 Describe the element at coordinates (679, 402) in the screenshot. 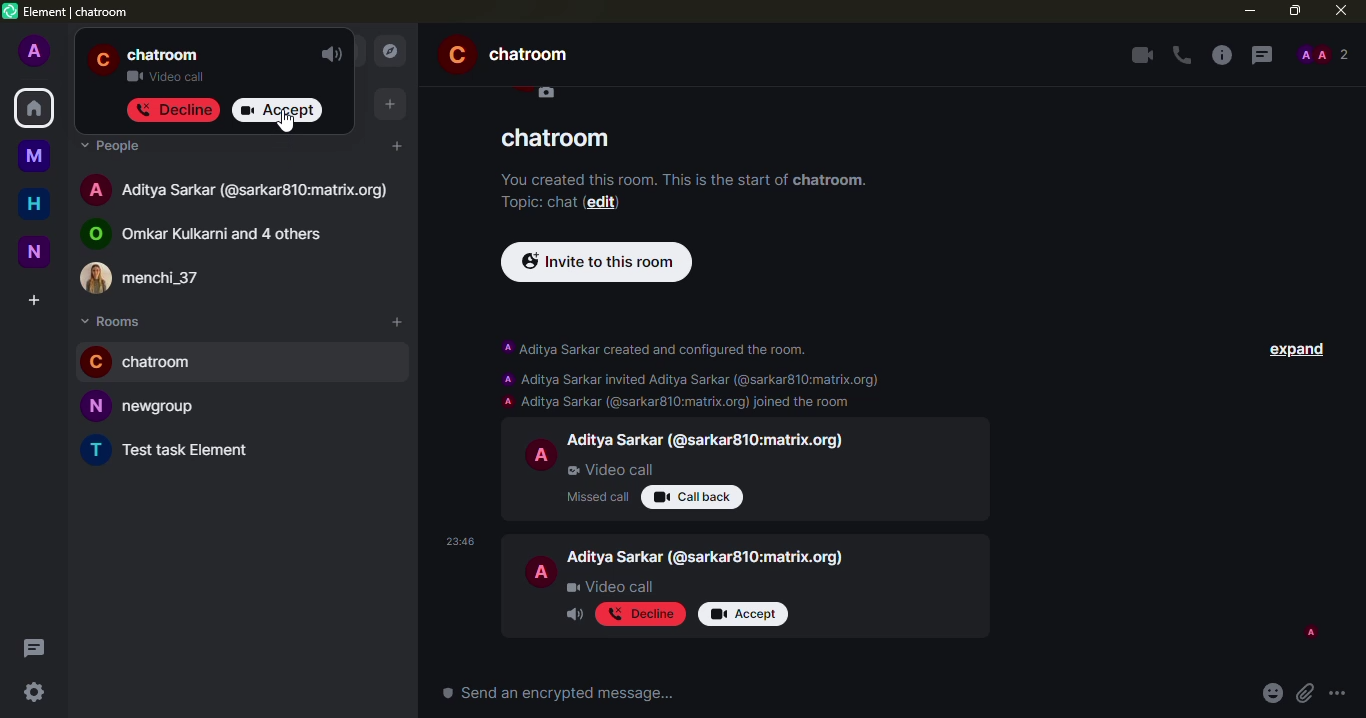

I see `A Aditya Sarkar (@sarkar810:matrix.org) joined the room` at that location.